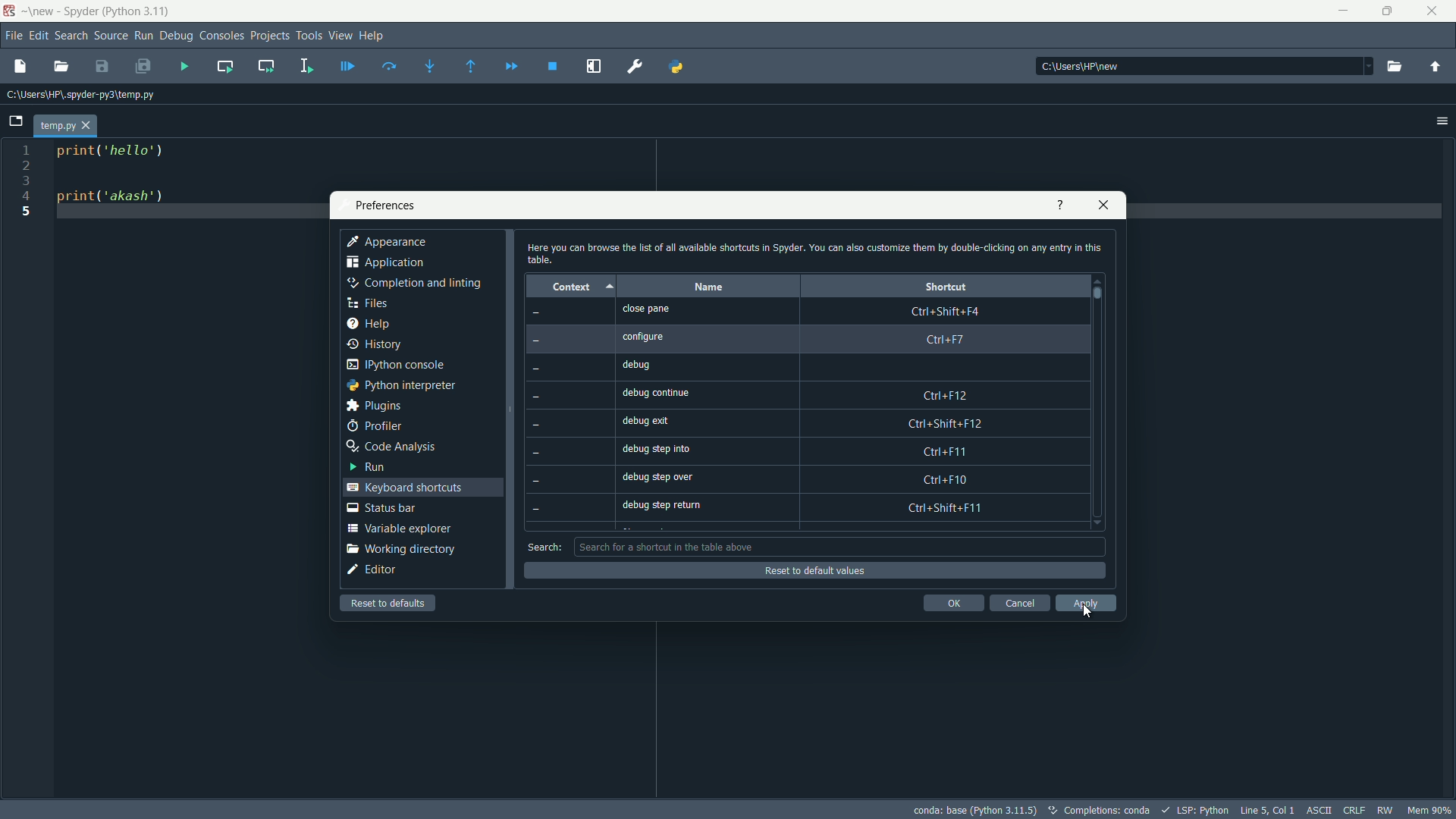  What do you see at coordinates (267, 64) in the screenshot?
I see `run current cell and go to the next one` at bounding box center [267, 64].